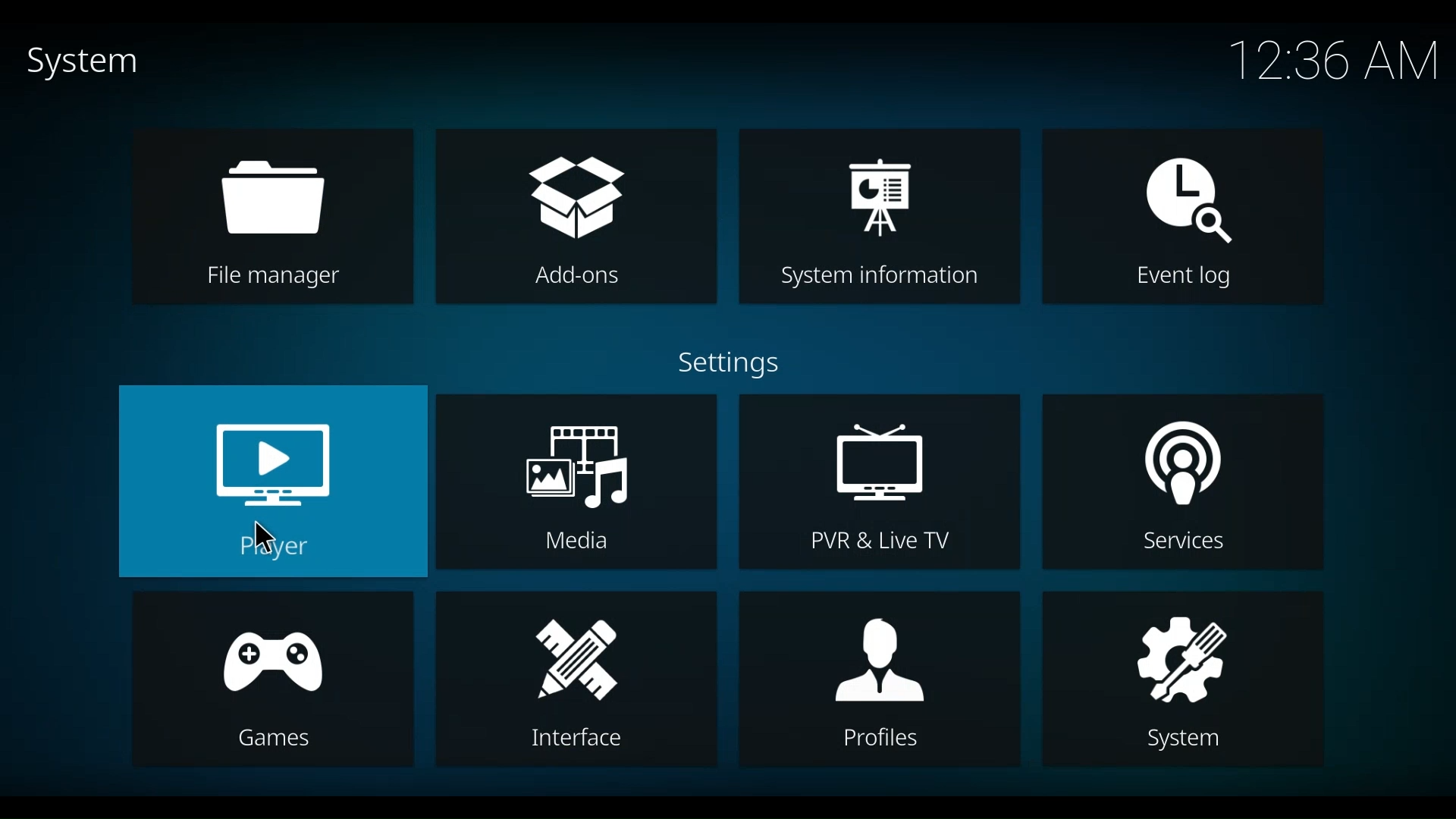 This screenshot has width=1456, height=819. What do you see at coordinates (877, 482) in the screenshot?
I see `PVR & LIVE TV` at bounding box center [877, 482].